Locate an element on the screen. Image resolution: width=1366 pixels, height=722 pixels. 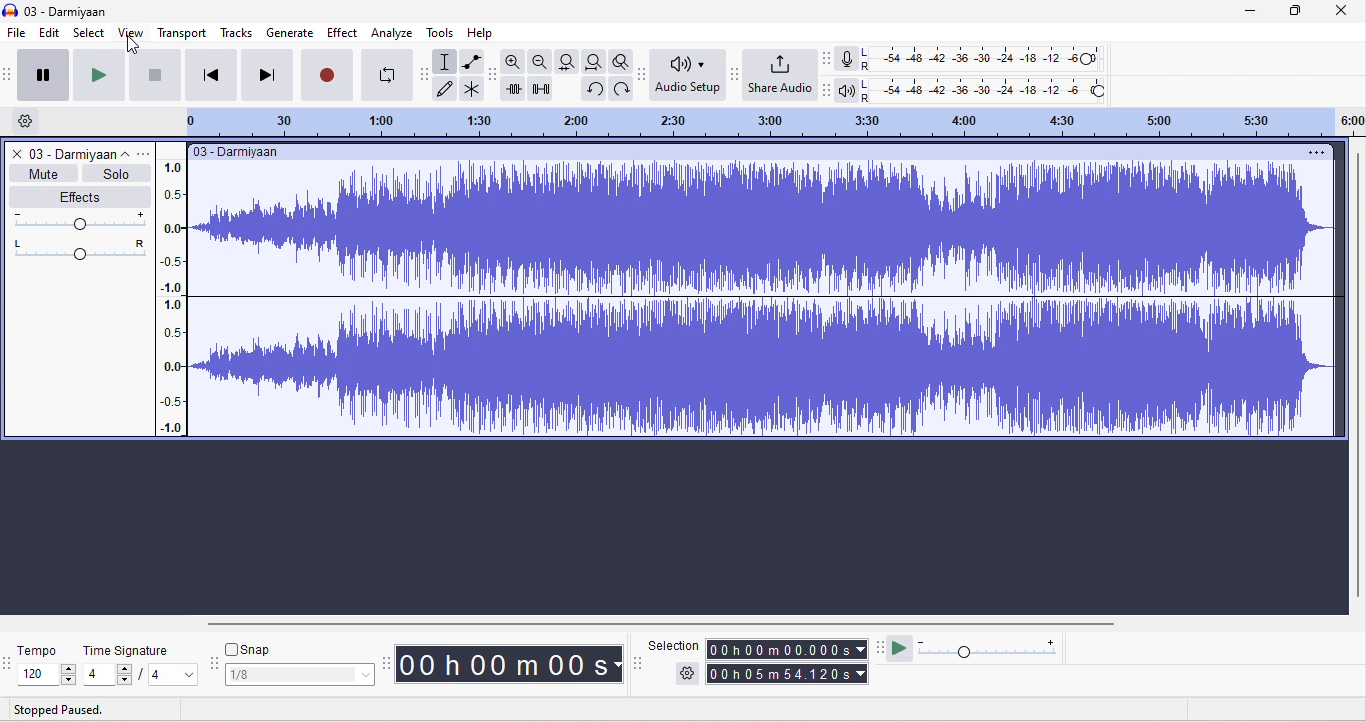
edit is located at coordinates (47, 34).